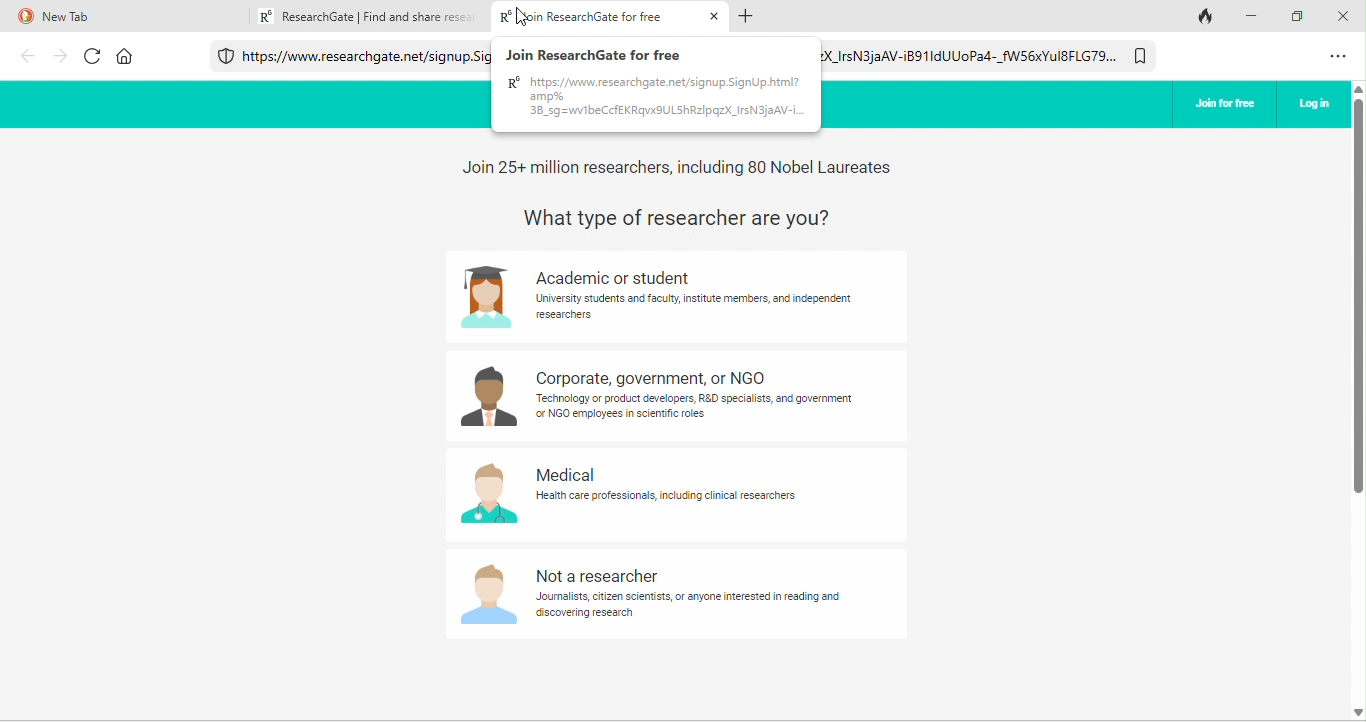  I want to click on Profile pic, so click(488, 596).